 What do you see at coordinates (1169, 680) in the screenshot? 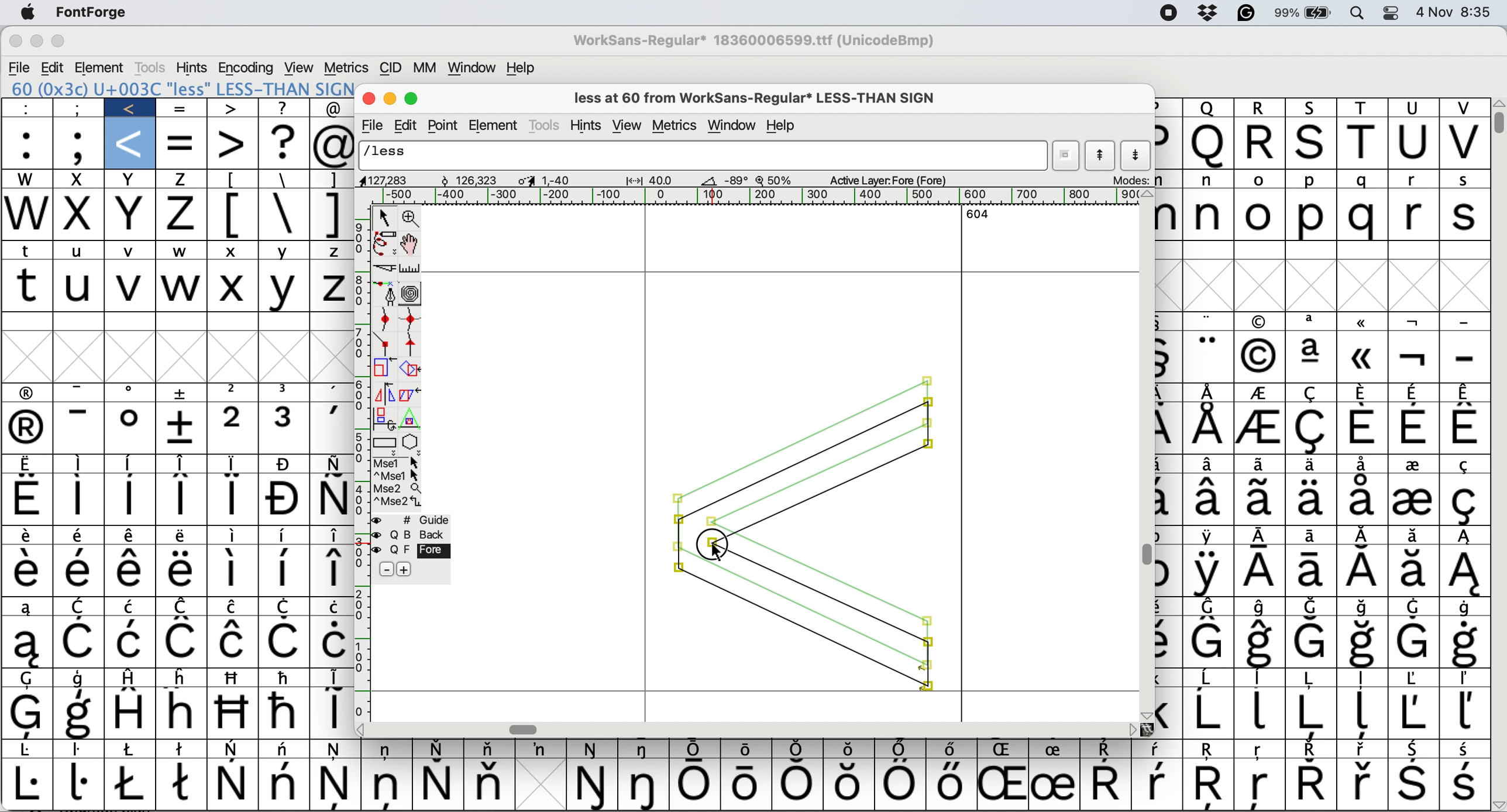
I see `Symbol` at bounding box center [1169, 680].